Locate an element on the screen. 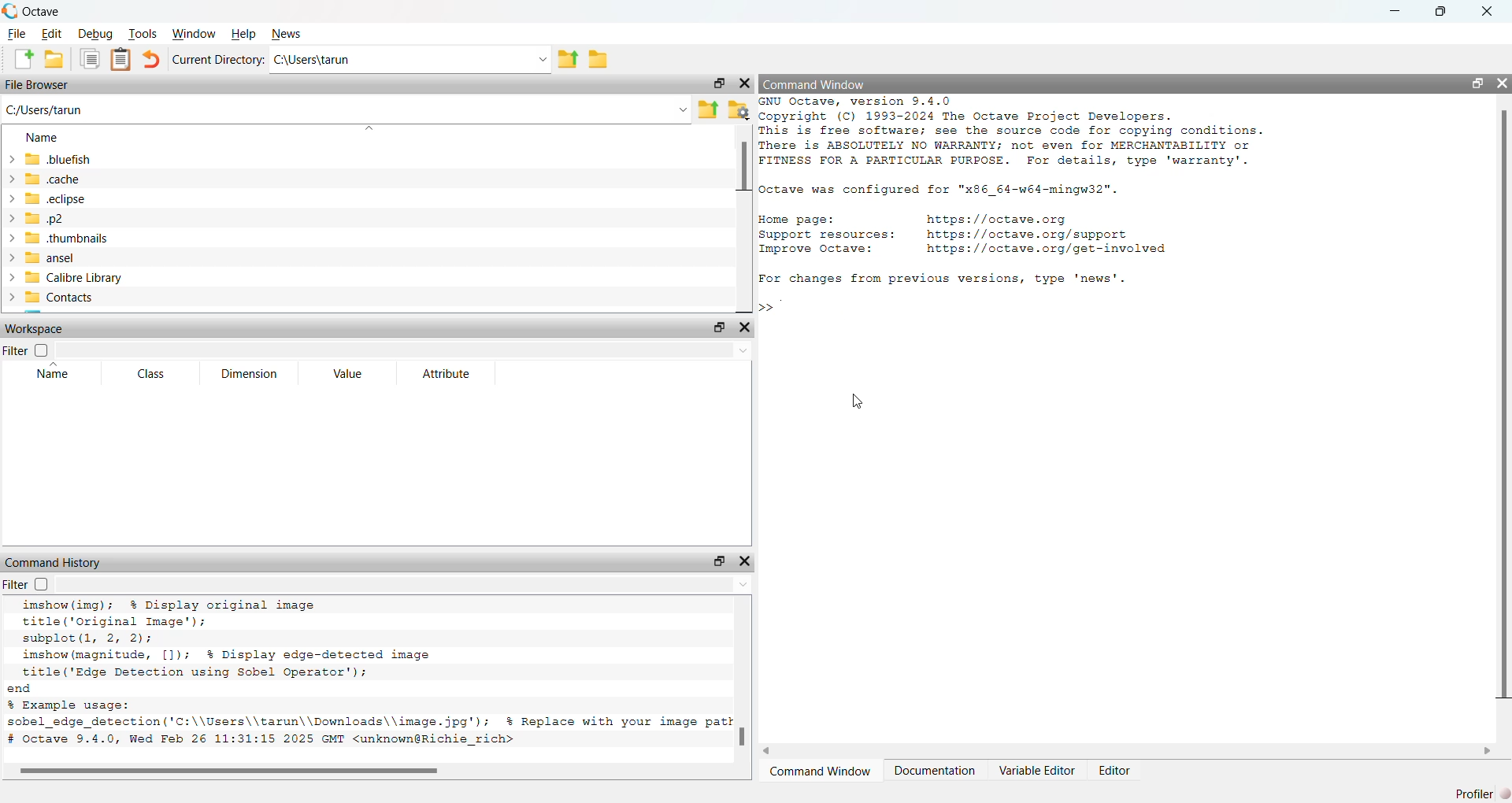 The height and width of the screenshot is (803, 1512). Command Window is located at coordinates (815, 83).